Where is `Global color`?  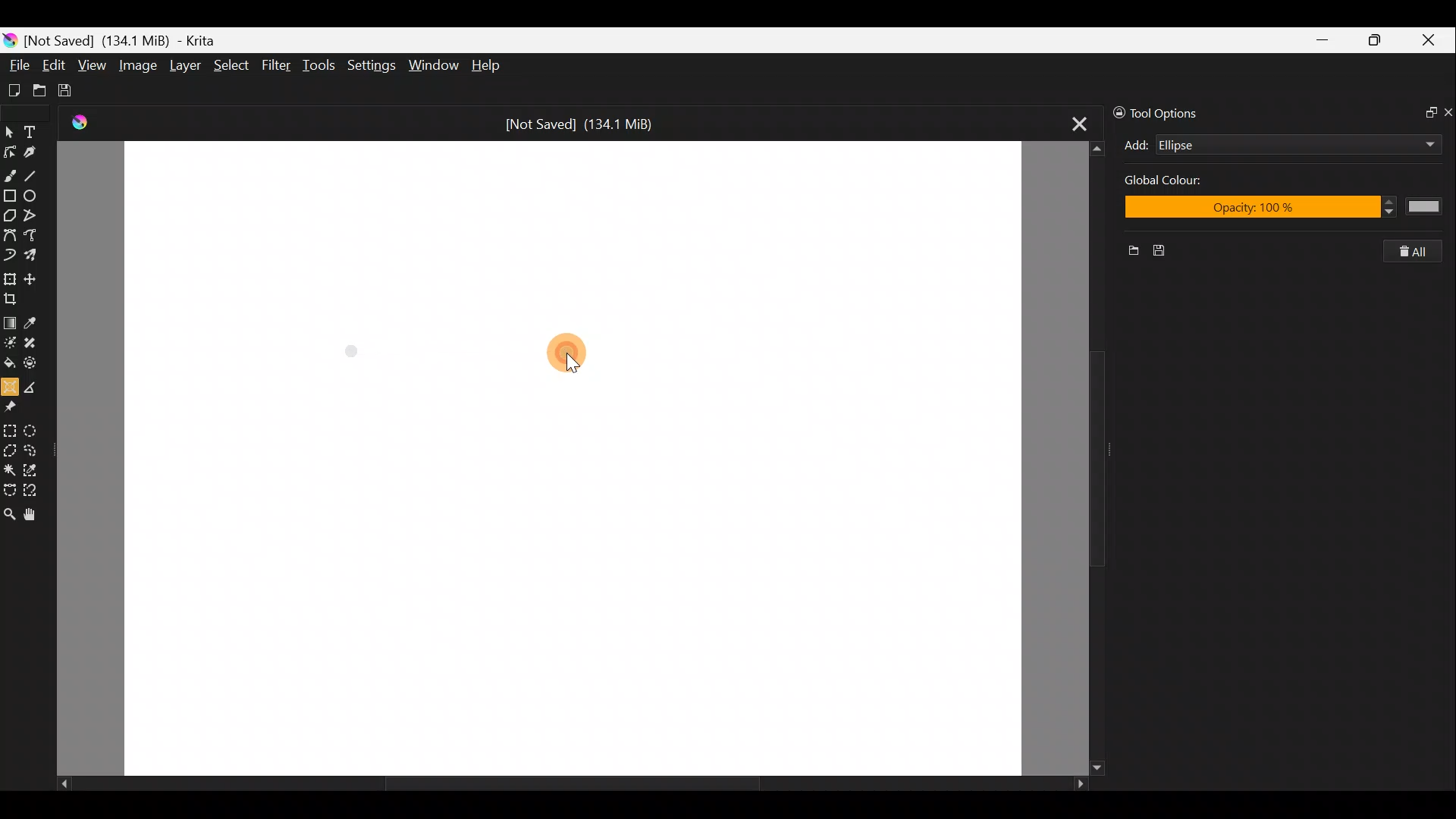
Global color is located at coordinates (1182, 183).